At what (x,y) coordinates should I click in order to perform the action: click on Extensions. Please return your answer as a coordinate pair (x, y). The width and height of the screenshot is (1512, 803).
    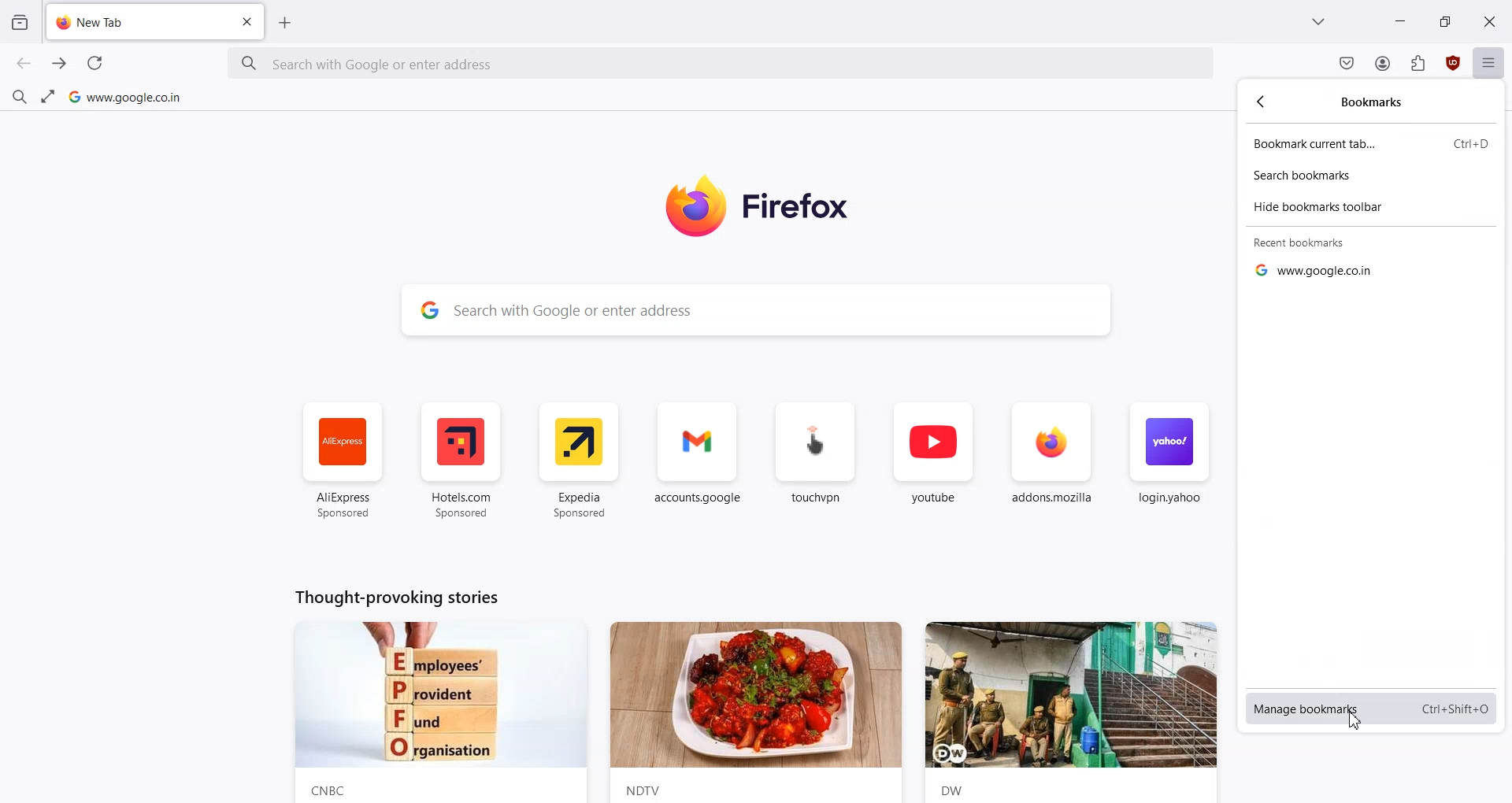
    Looking at the image, I should click on (1418, 63).